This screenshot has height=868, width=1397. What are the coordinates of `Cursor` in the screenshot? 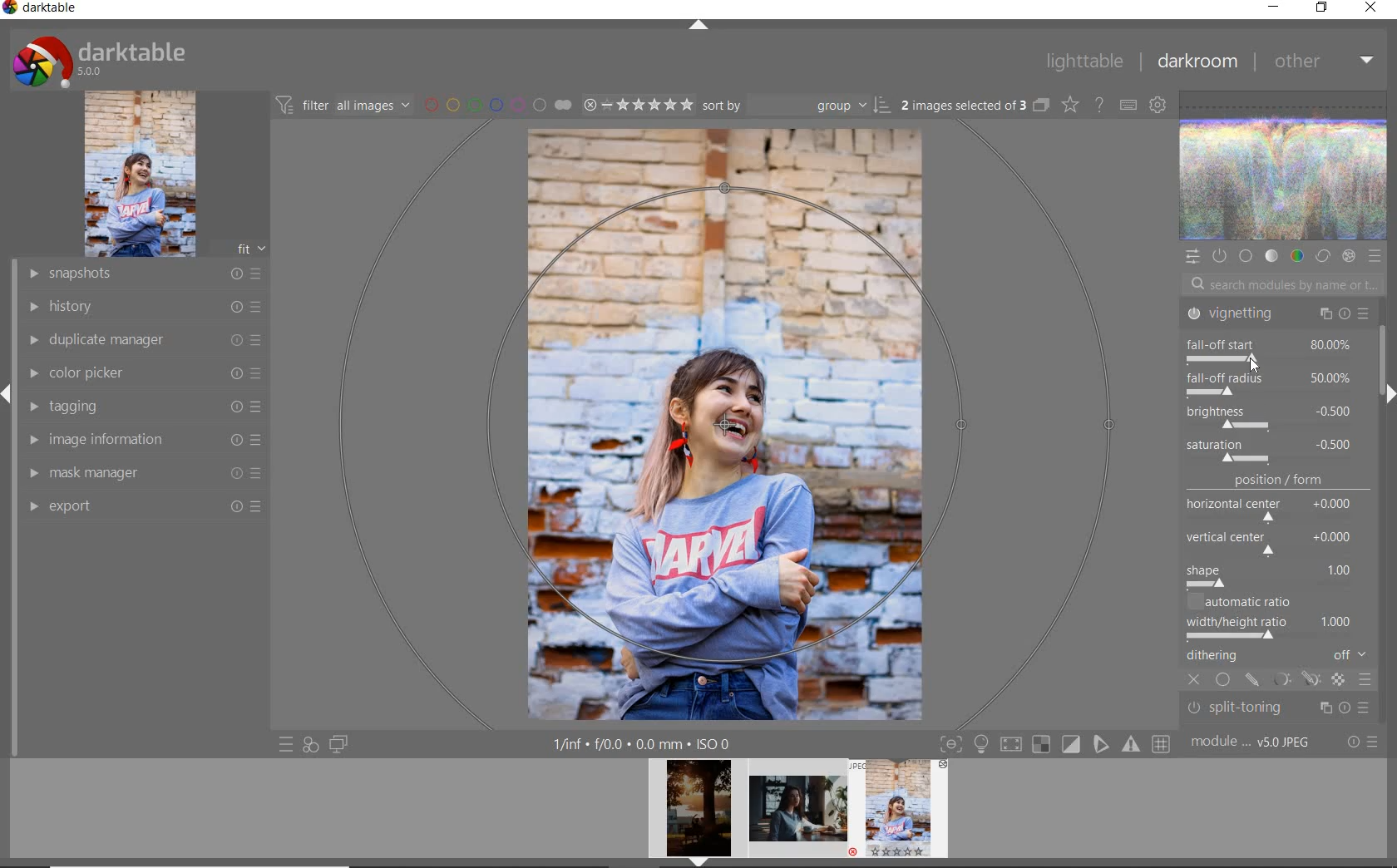 It's located at (1254, 366).